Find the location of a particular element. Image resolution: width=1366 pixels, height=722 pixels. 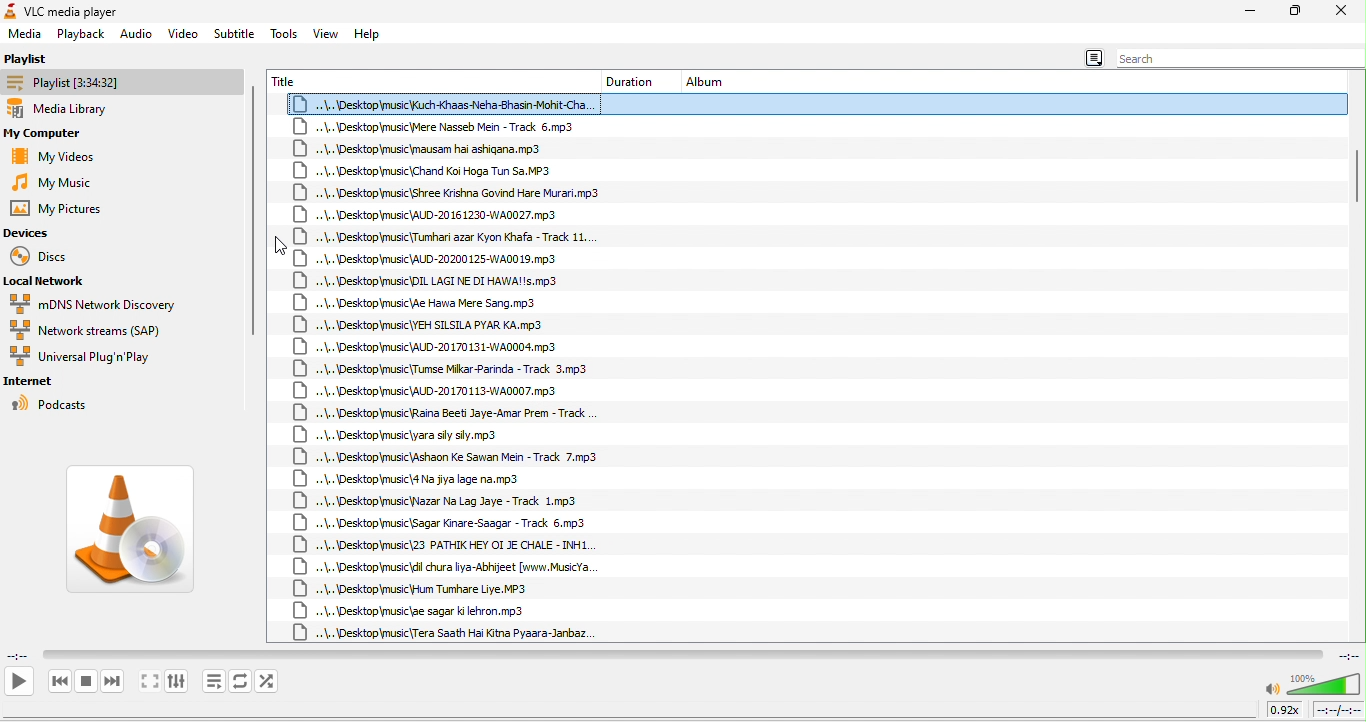

menu is located at coordinates (1092, 59).